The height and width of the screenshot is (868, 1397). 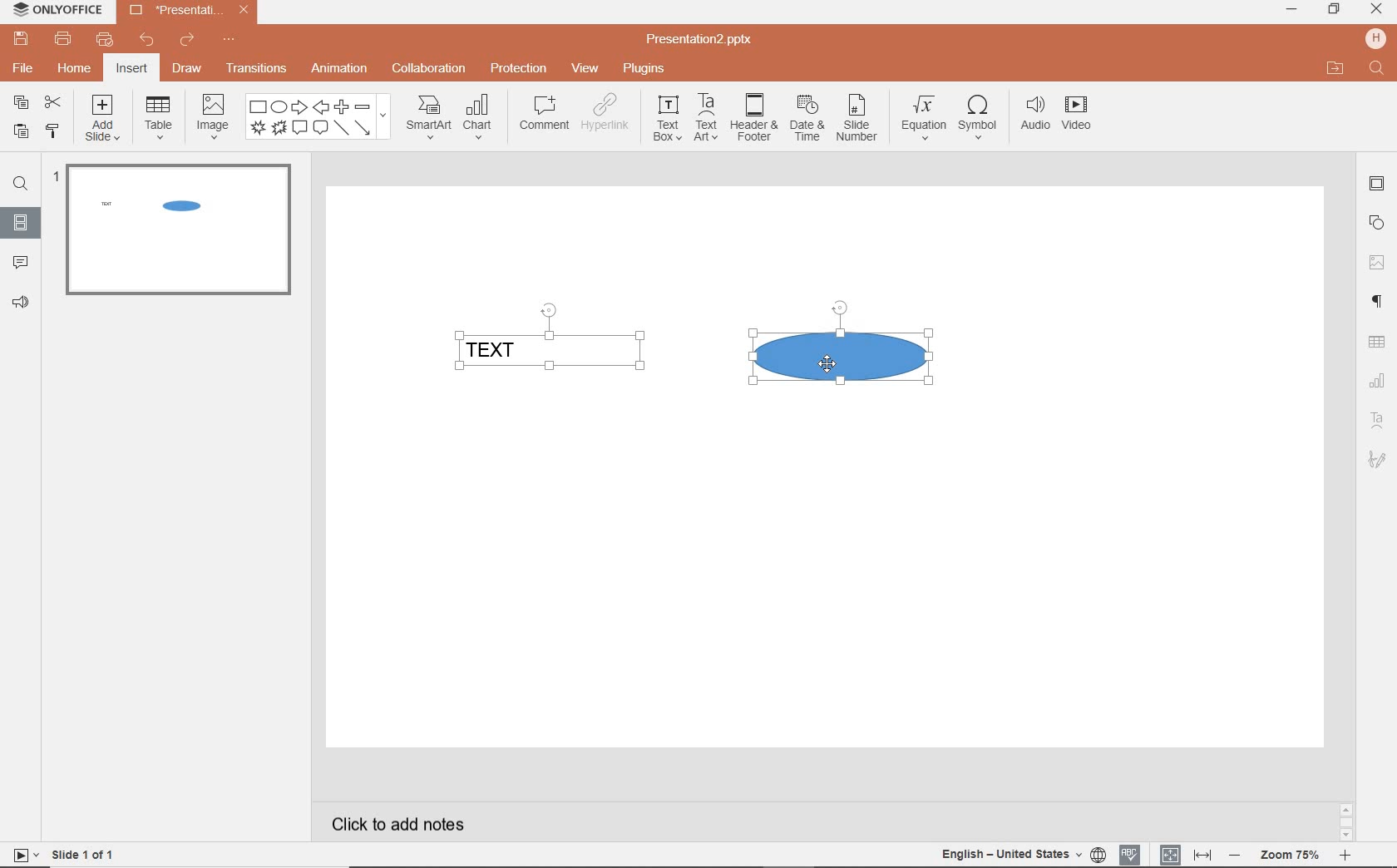 I want to click on Presentation2.pptx, so click(x=700, y=40).